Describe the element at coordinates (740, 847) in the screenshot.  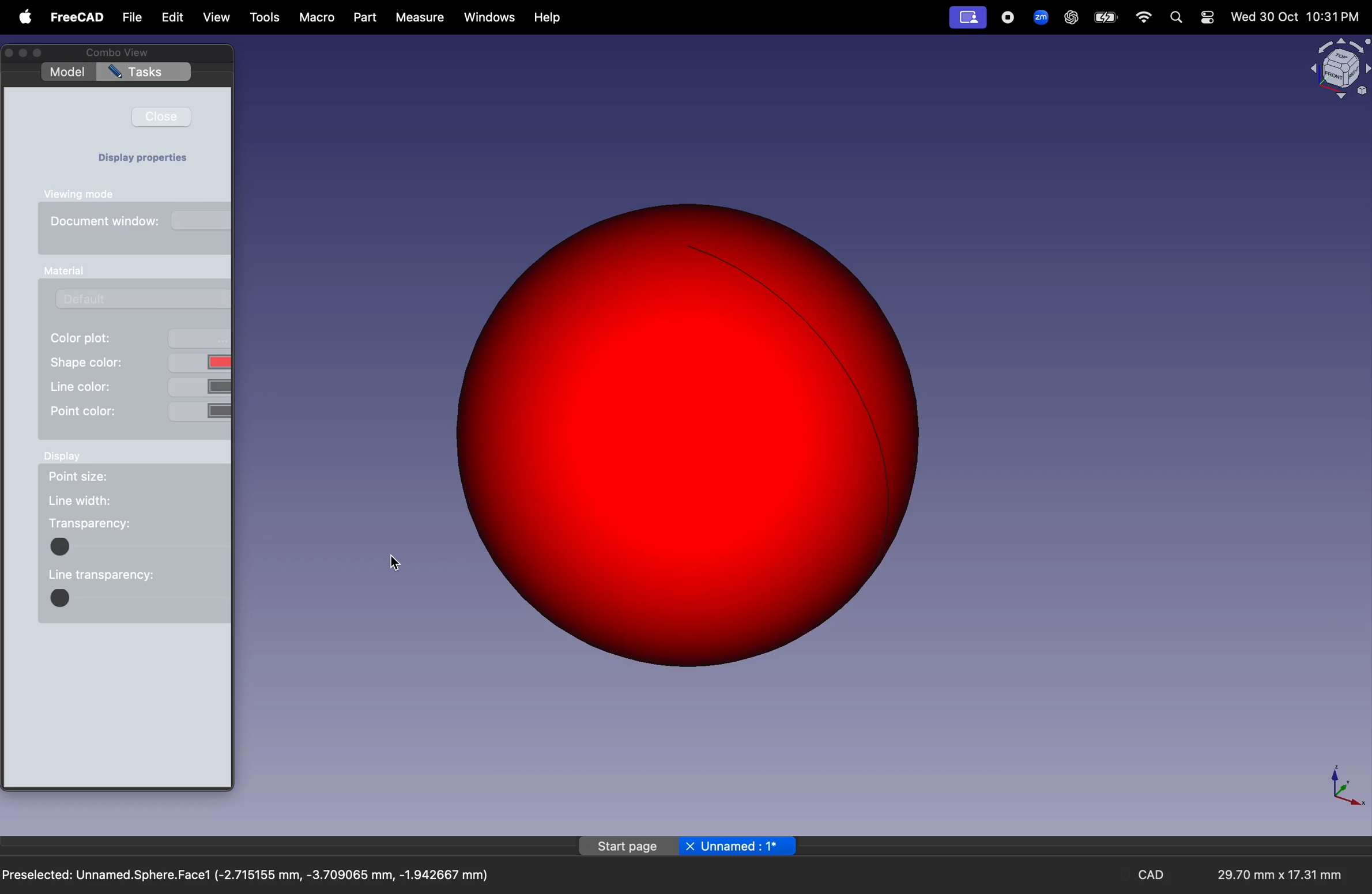
I see `unnamed` at that location.